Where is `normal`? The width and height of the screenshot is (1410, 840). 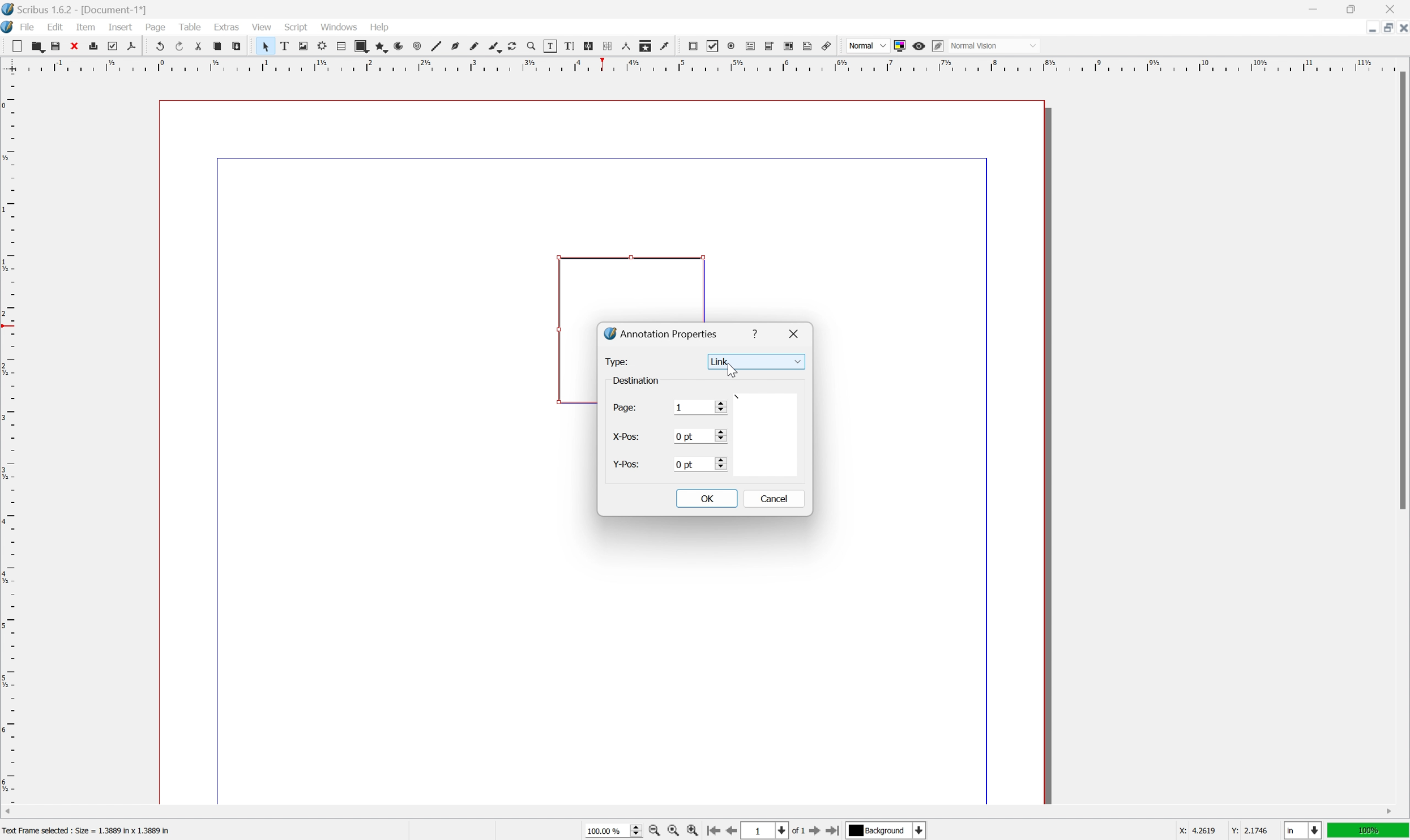 normal is located at coordinates (867, 44).